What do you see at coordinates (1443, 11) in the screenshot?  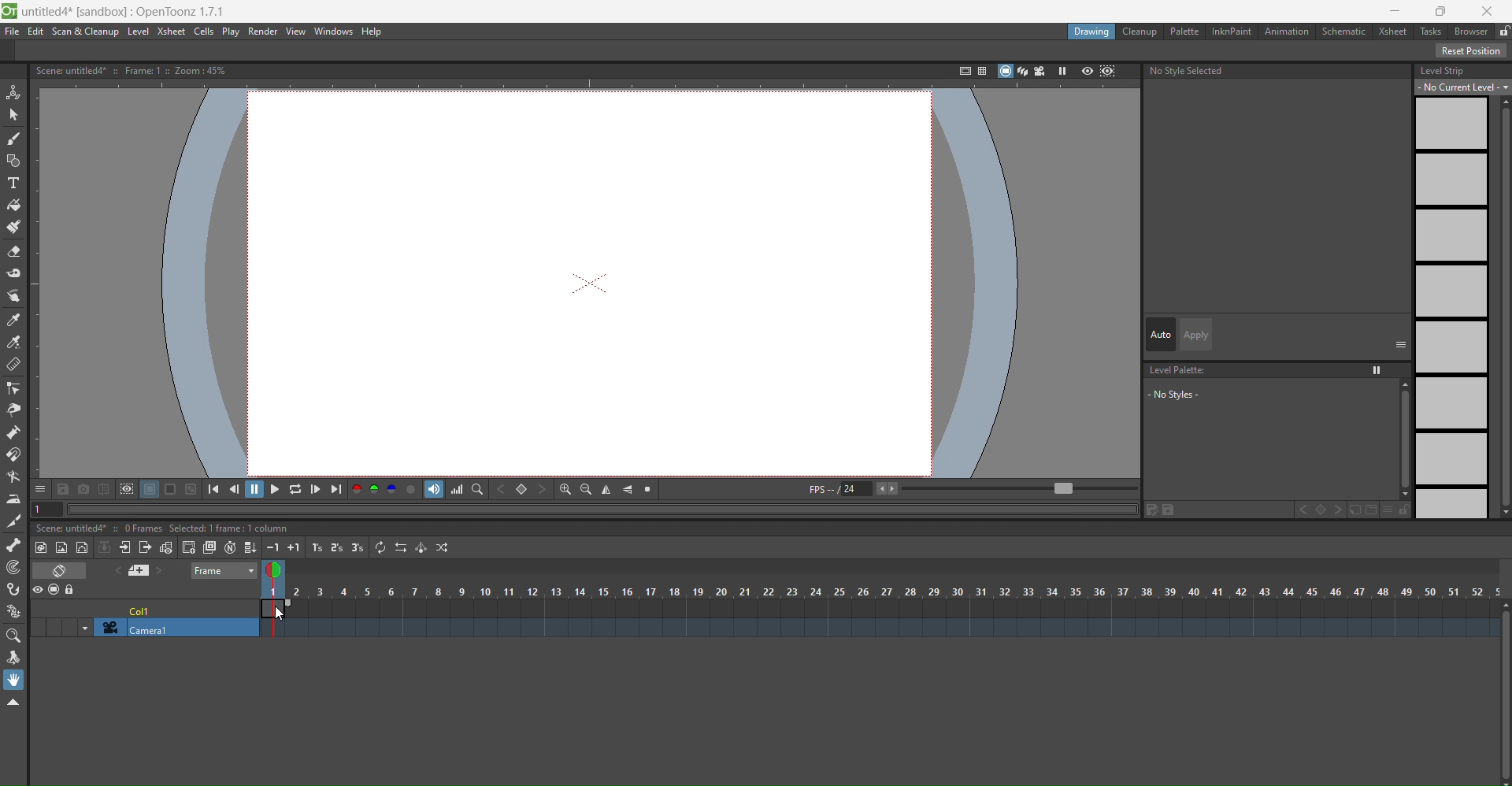 I see `Maximise` at bounding box center [1443, 11].